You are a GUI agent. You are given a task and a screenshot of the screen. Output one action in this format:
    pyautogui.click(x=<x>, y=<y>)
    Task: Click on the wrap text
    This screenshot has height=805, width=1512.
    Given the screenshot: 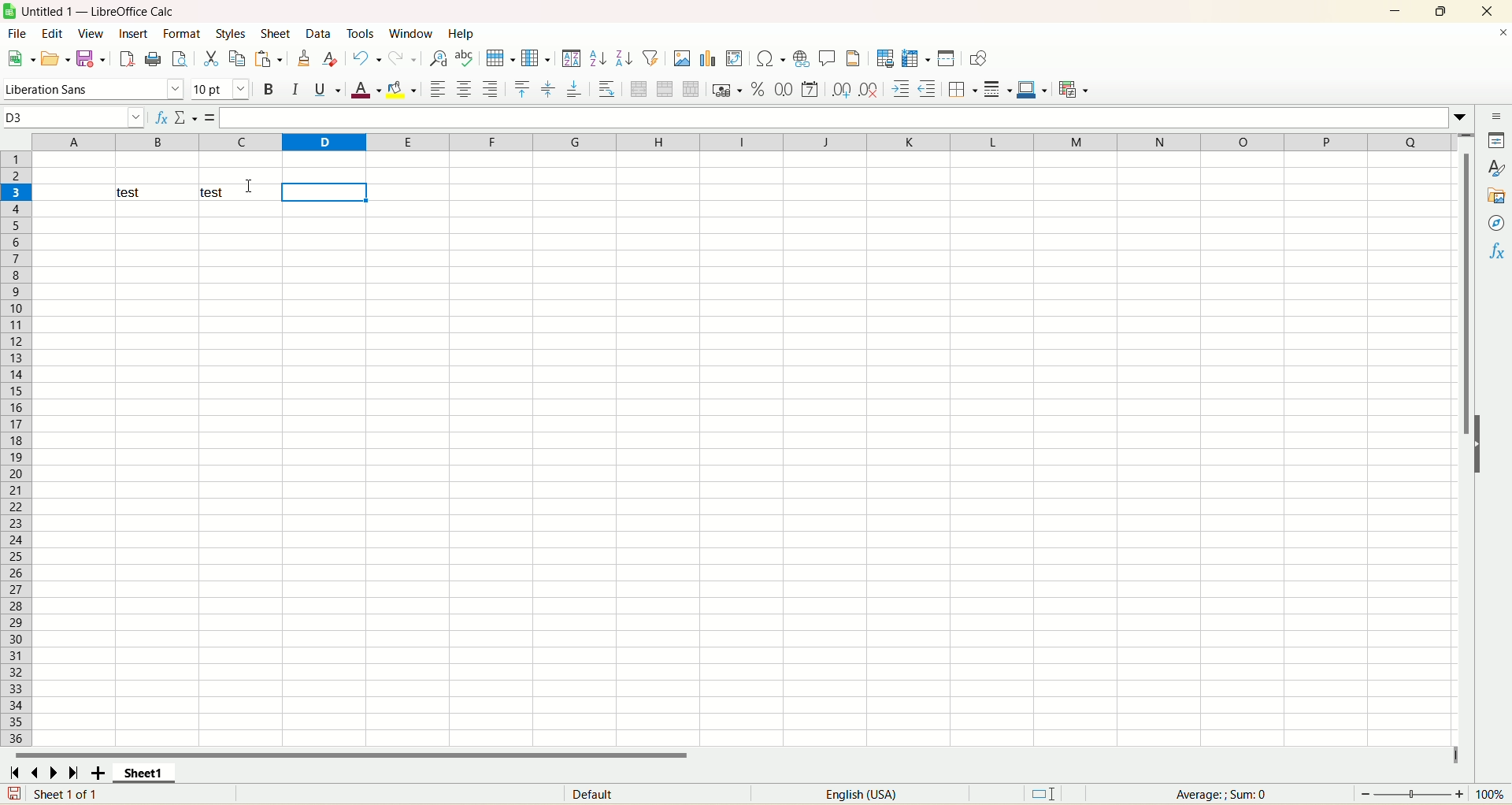 What is the action you would take?
    pyautogui.click(x=606, y=88)
    